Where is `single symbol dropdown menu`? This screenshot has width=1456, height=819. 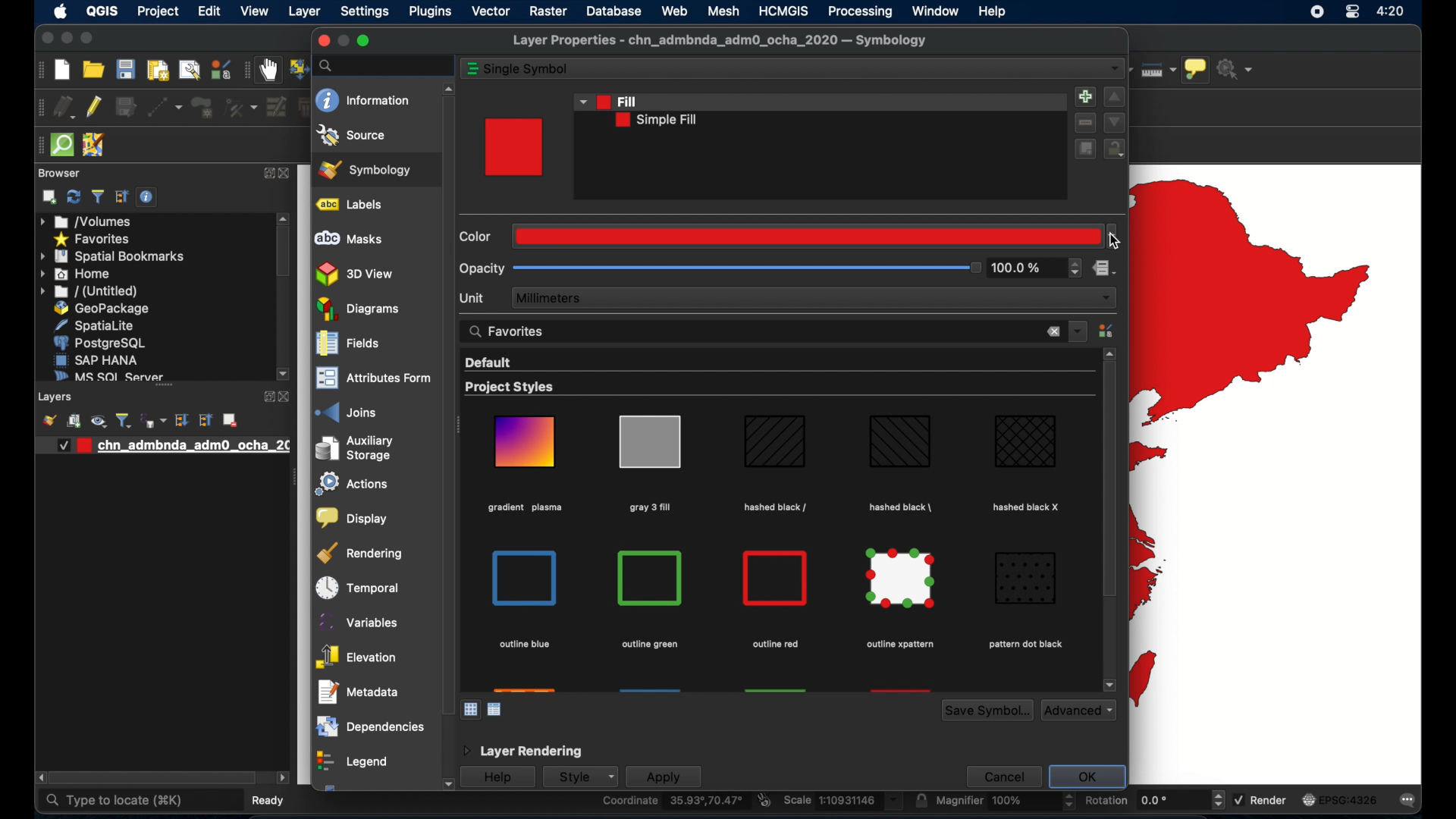 single symbol dropdown menu is located at coordinates (1115, 69).